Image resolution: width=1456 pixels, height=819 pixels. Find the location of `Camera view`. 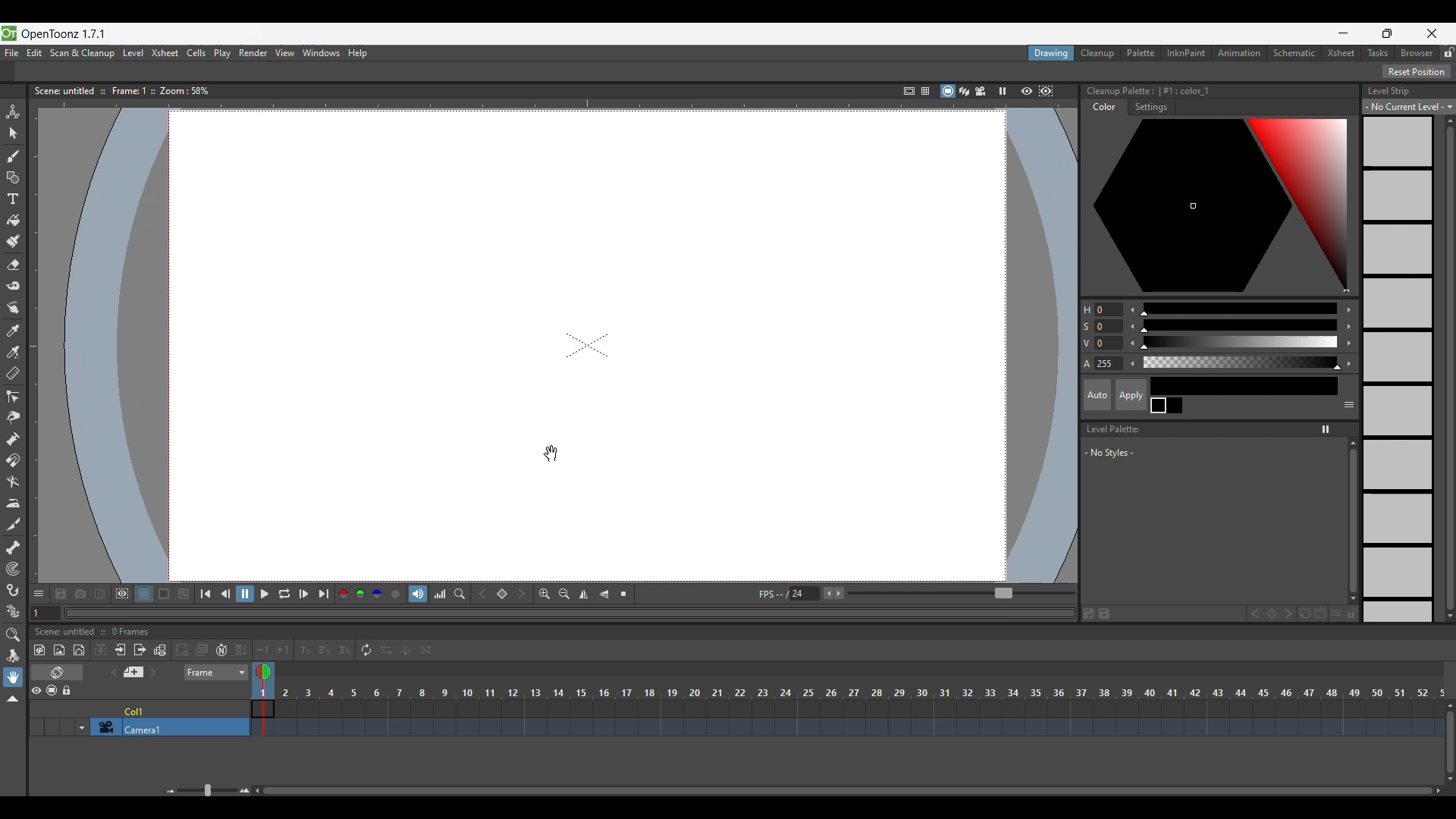

Camera view is located at coordinates (985, 90).